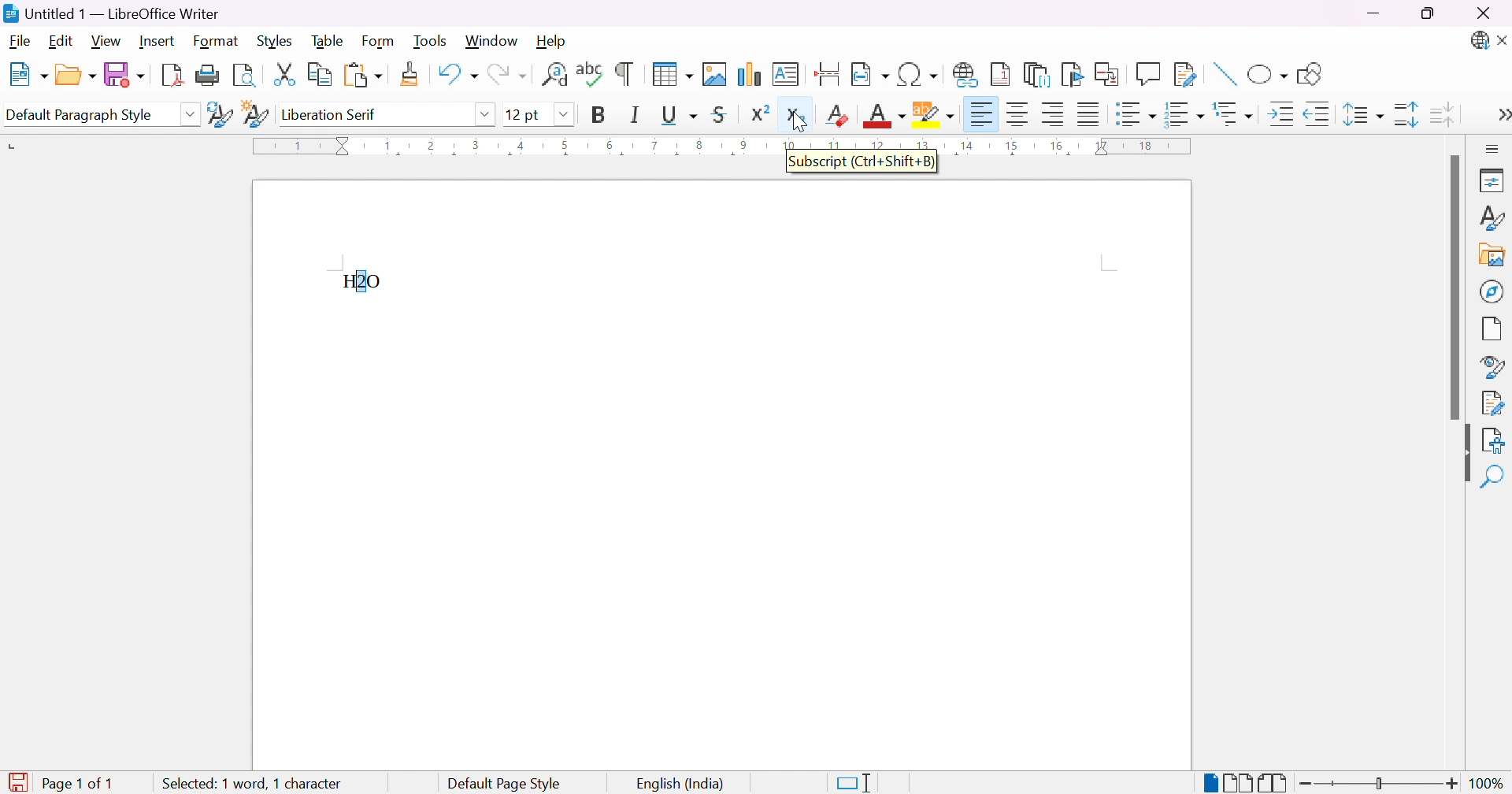 The height and width of the screenshot is (794, 1512). I want to click on Edit, so click(64, 42).